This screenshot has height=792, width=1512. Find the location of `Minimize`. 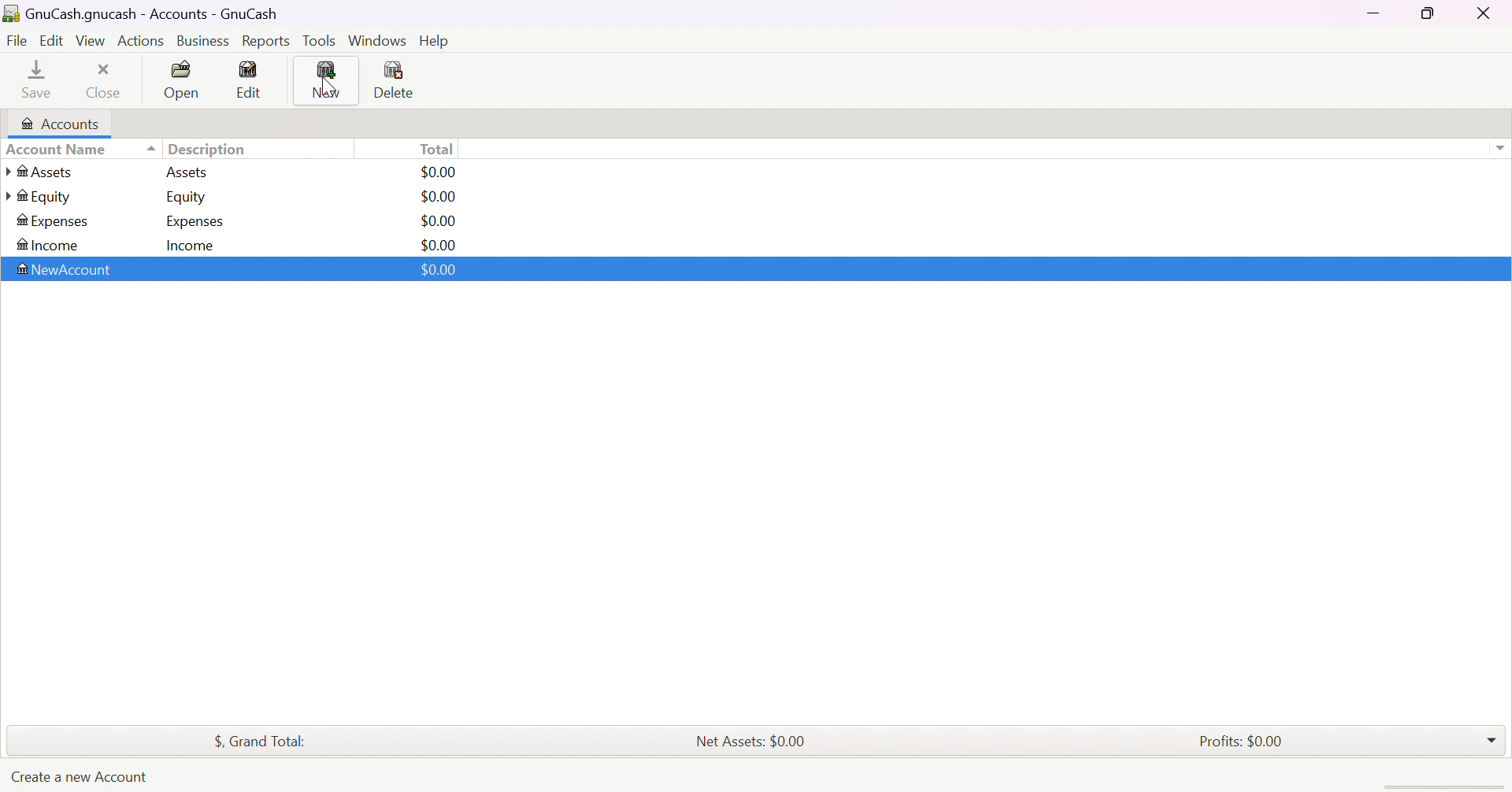

Minimize is located at coordinates (1376, 13).